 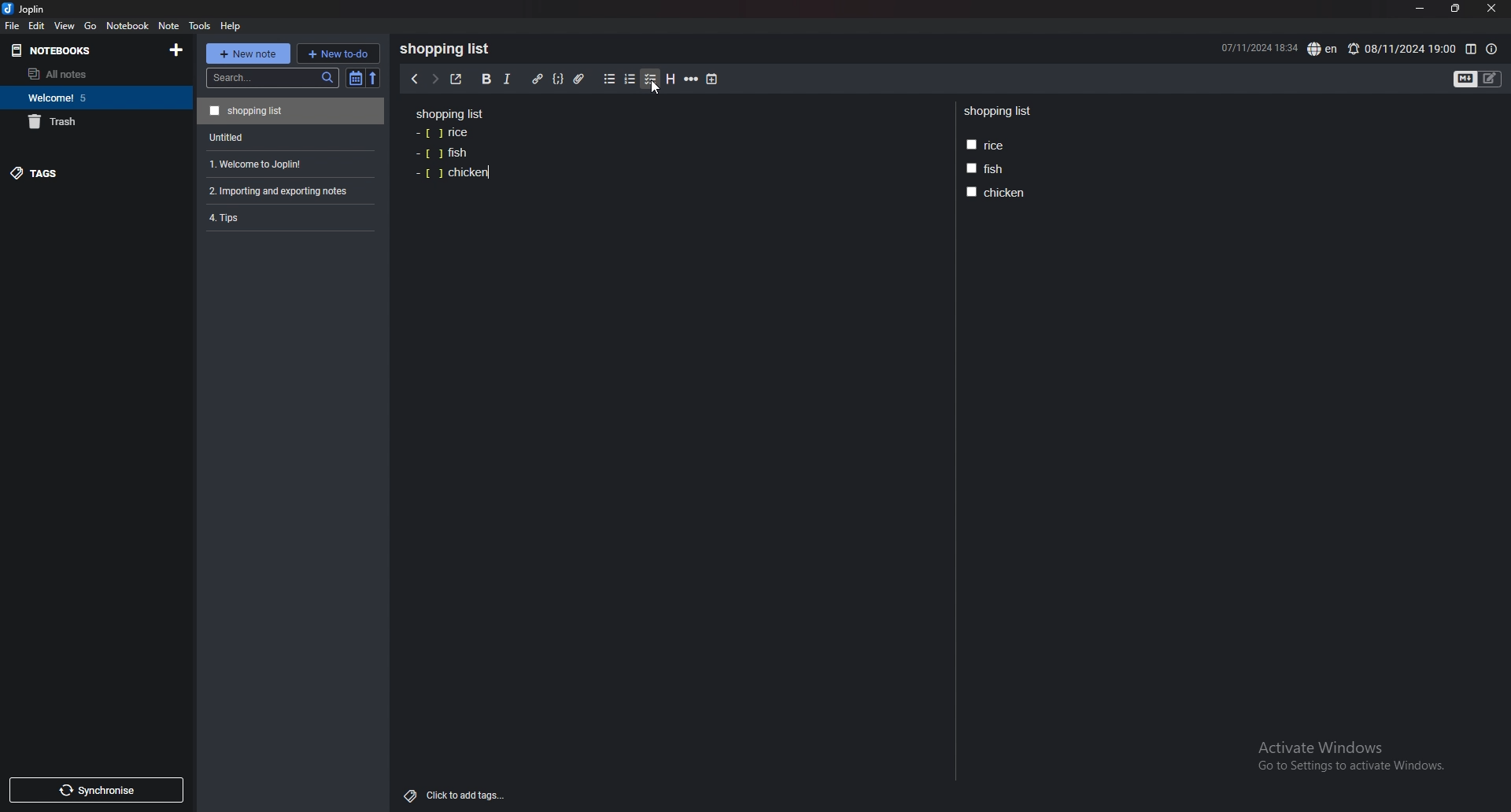 What do you see at coordinates (434, 78) in the screenshot?
I see `next` at bounding box center [434, 78].